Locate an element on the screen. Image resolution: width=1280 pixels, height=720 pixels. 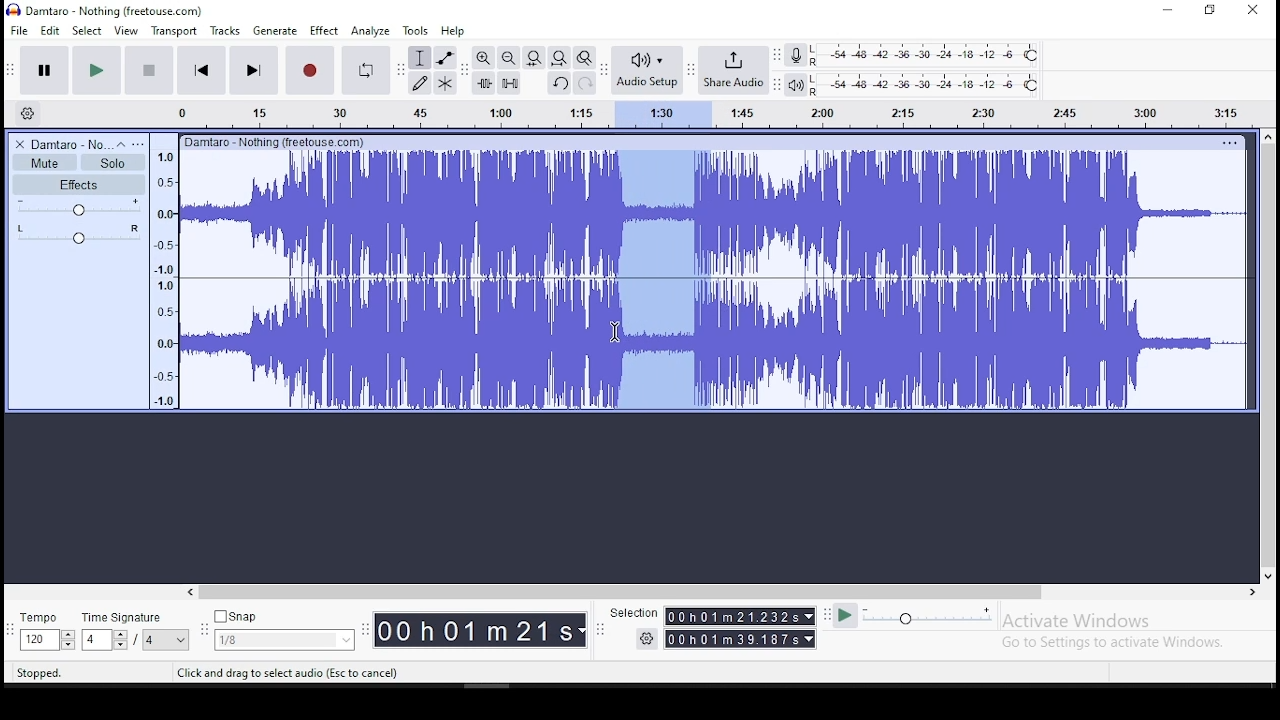
undo is located at coordinates (559, 83).